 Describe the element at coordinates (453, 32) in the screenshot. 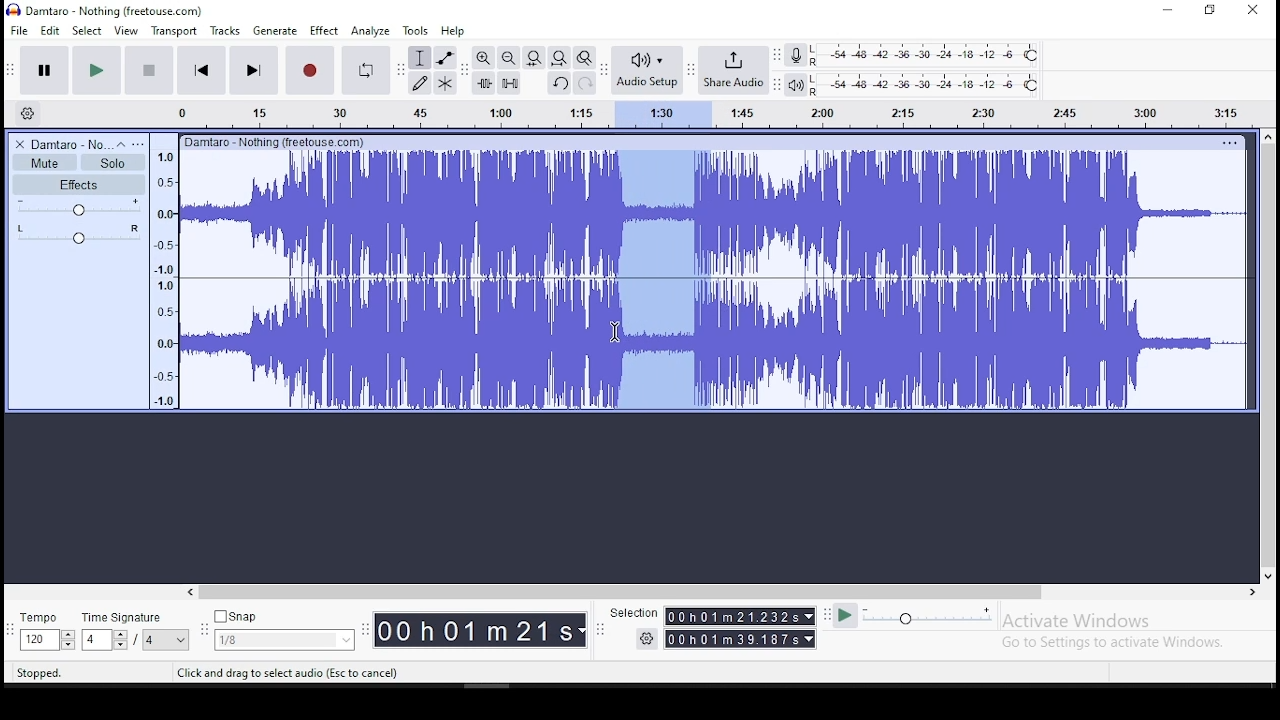

I see `help` at that location.